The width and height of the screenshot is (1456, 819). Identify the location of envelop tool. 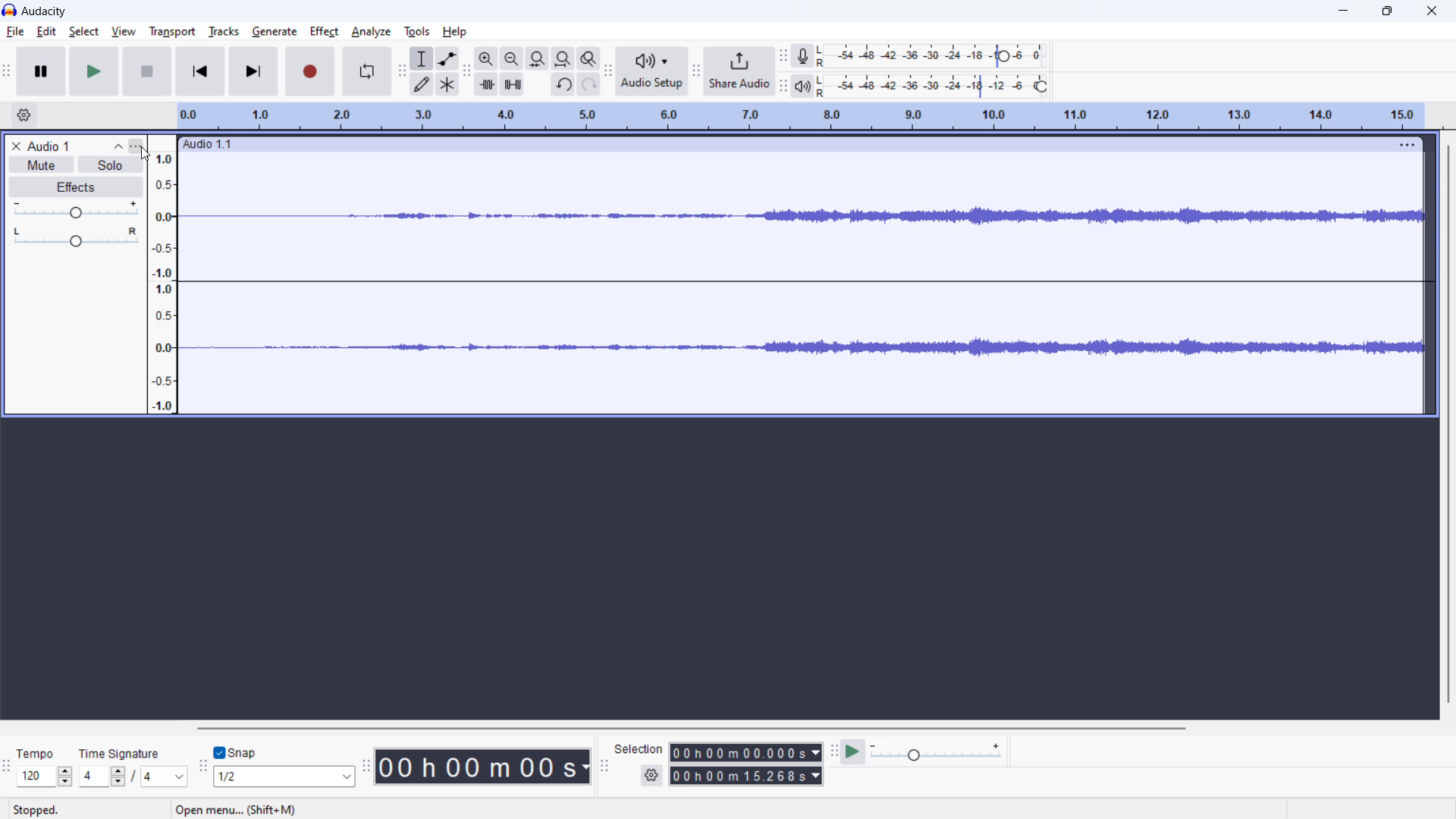
(447, 58).